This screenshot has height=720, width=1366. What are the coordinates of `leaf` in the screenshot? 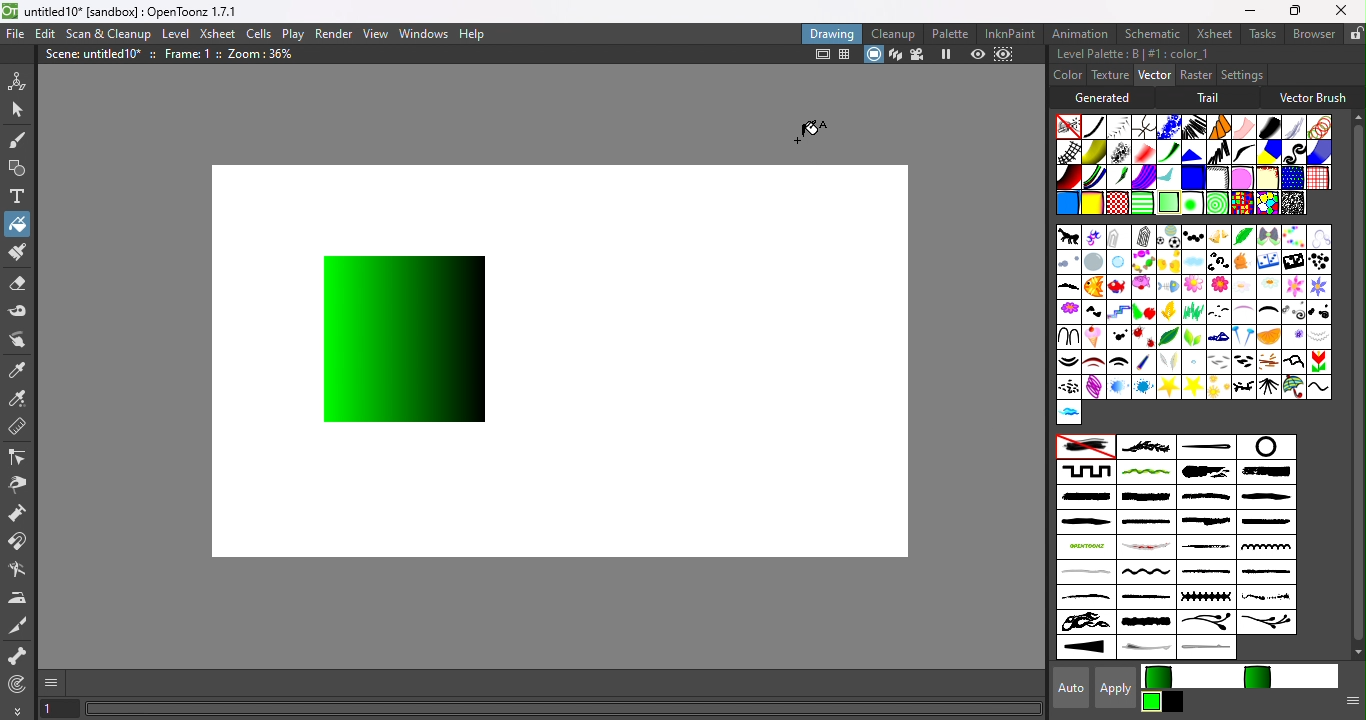 It's located at (1169, 336).